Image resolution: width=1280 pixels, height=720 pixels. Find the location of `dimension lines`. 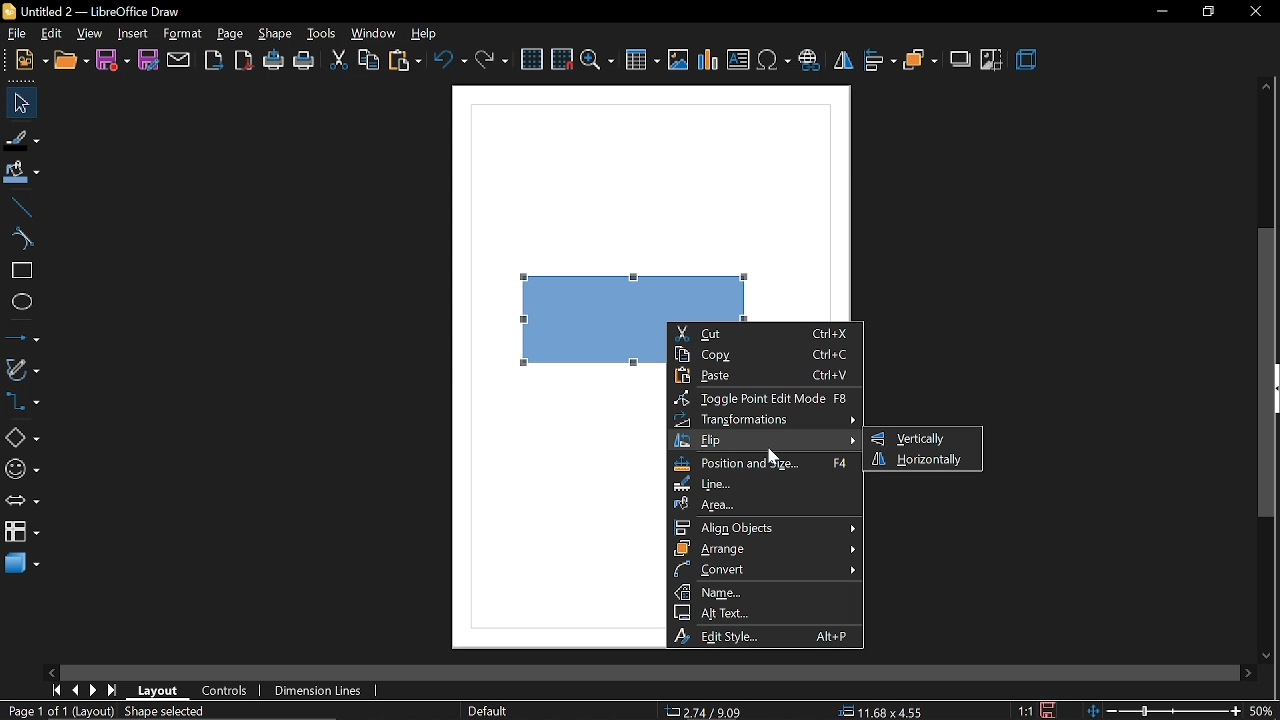

dimension lines is located at coordinates (323, 689).